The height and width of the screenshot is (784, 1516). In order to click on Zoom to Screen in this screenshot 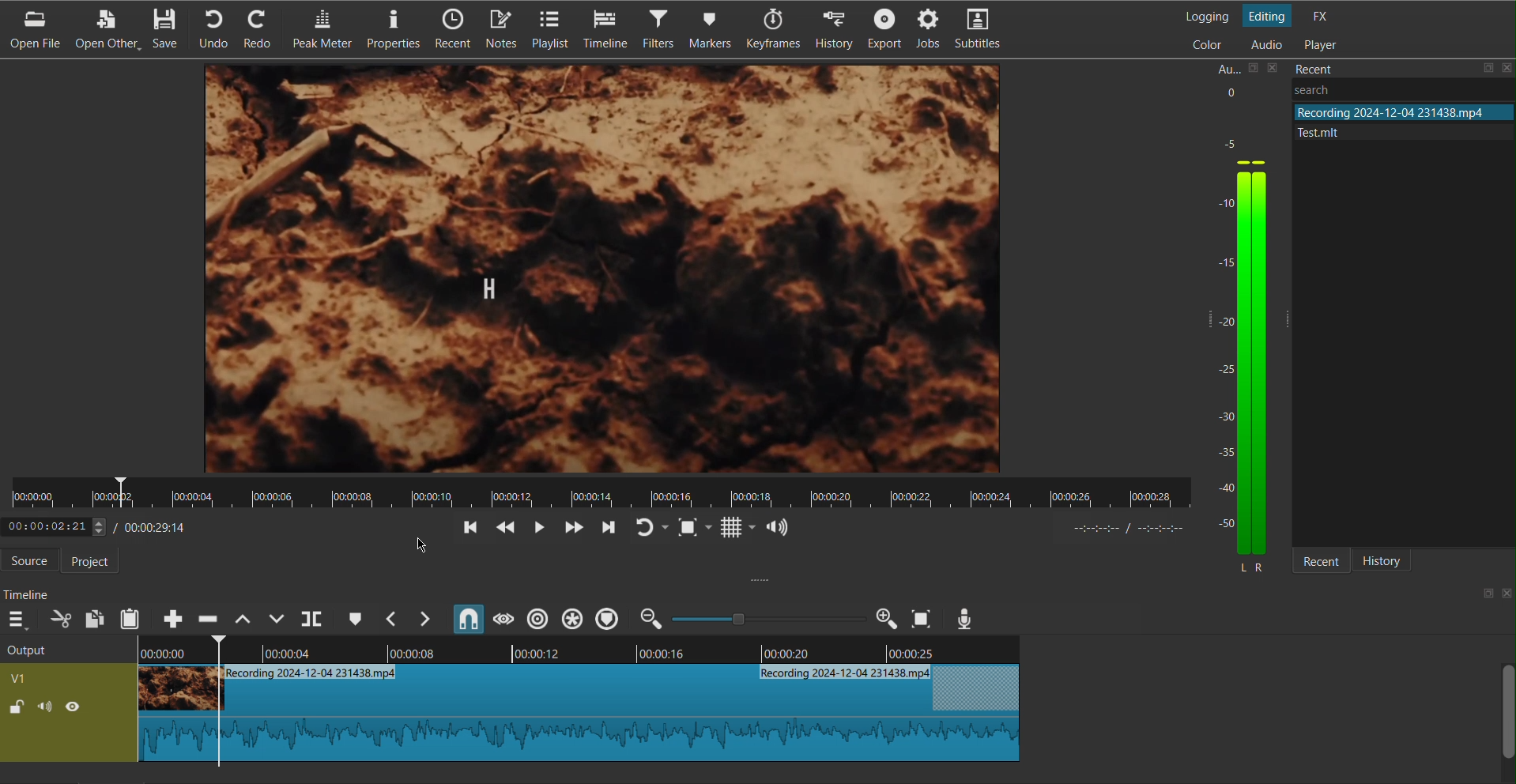, I will do `click(920, 618)`.